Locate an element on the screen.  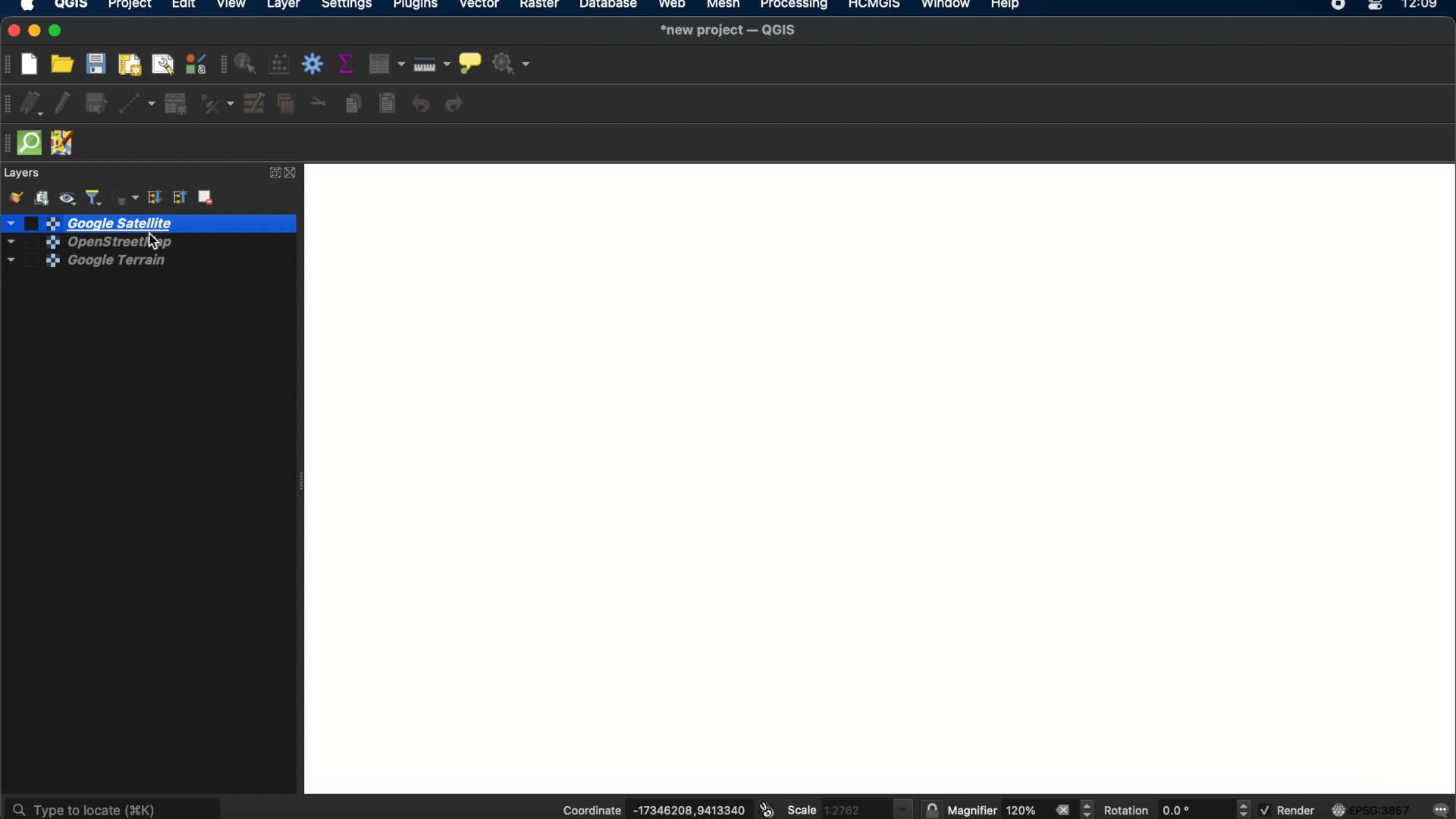
type to locate is located at coordinates (115, 806).